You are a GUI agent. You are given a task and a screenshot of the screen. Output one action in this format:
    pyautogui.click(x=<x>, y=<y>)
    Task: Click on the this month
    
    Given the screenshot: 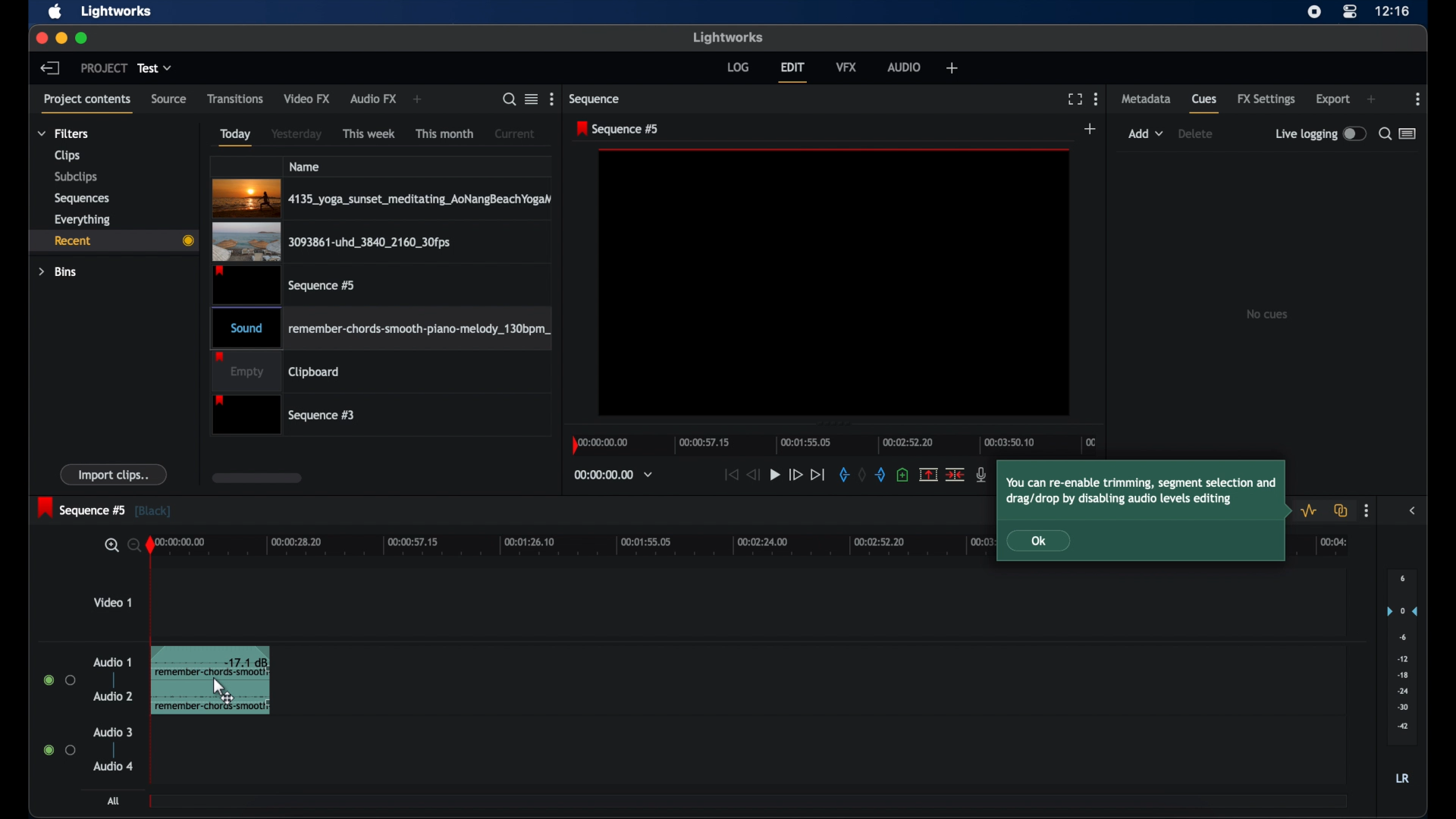 What is the action you would take?
    pyautogui.click(x=446, y=134)
    